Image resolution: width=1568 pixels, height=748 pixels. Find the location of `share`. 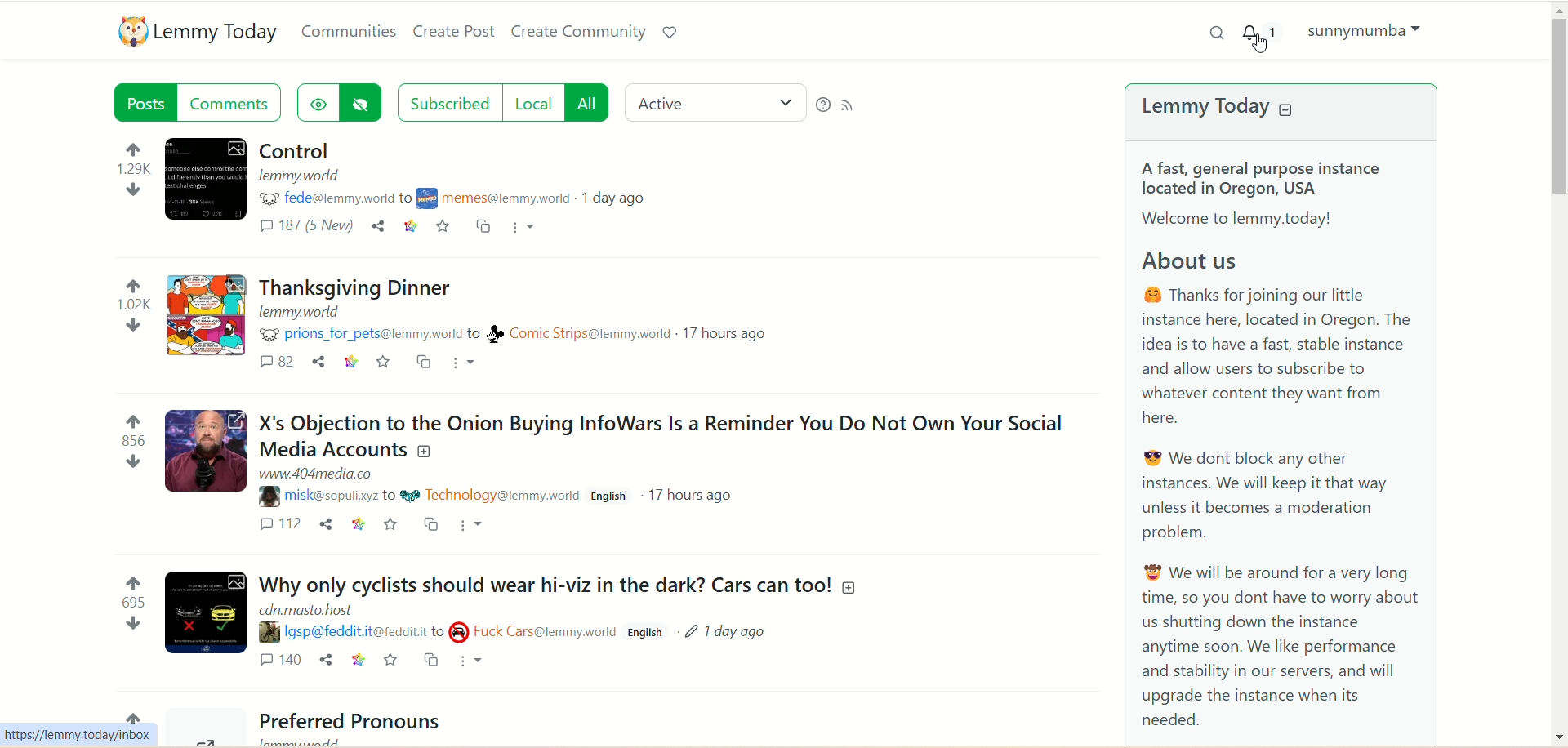

share is located at coordinates (327, 664).